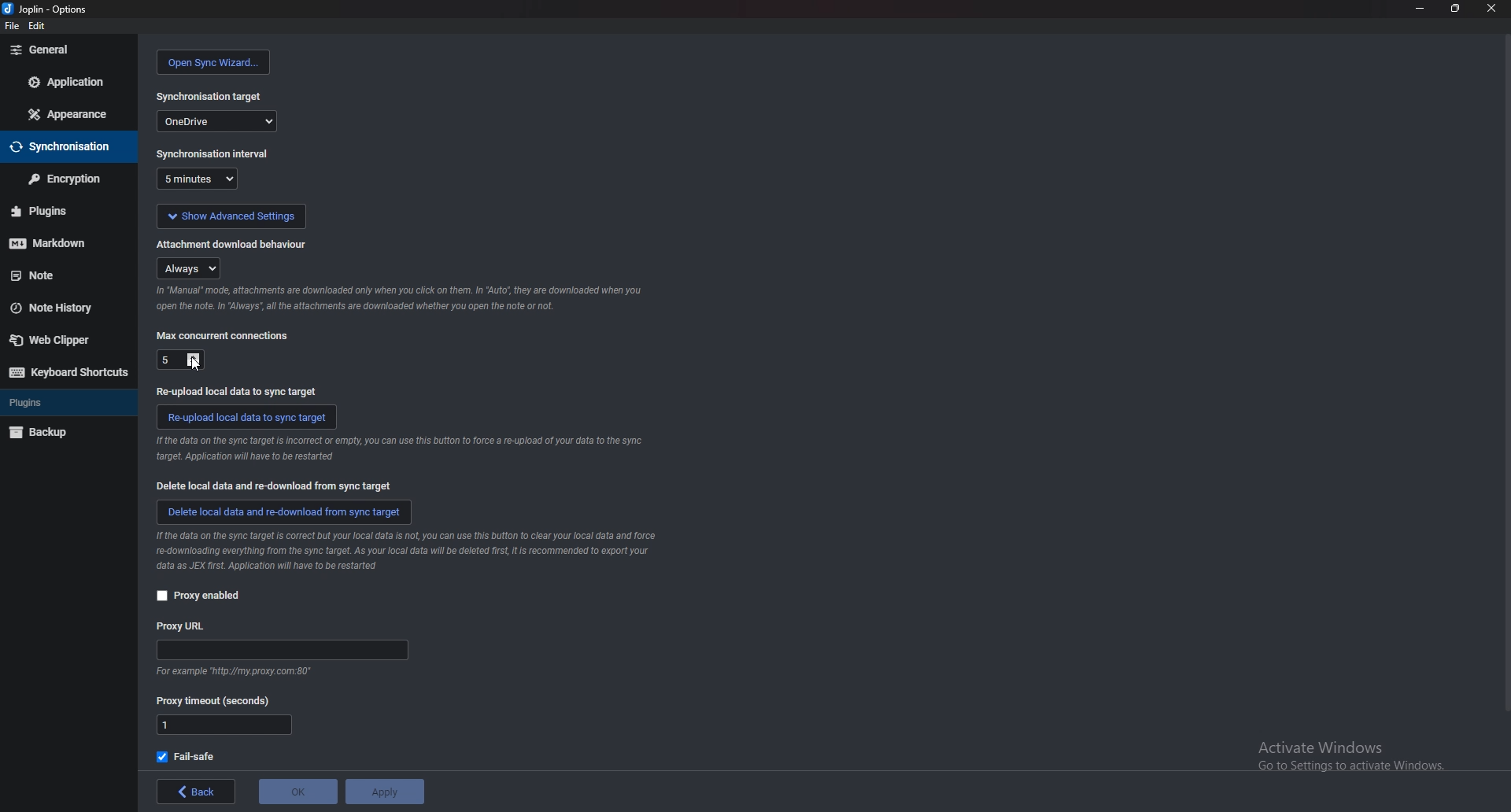  What do you see at coordinates (224, 726) in the screenshot?
I see `proxy timeout input` at bounding box center [224, 726].